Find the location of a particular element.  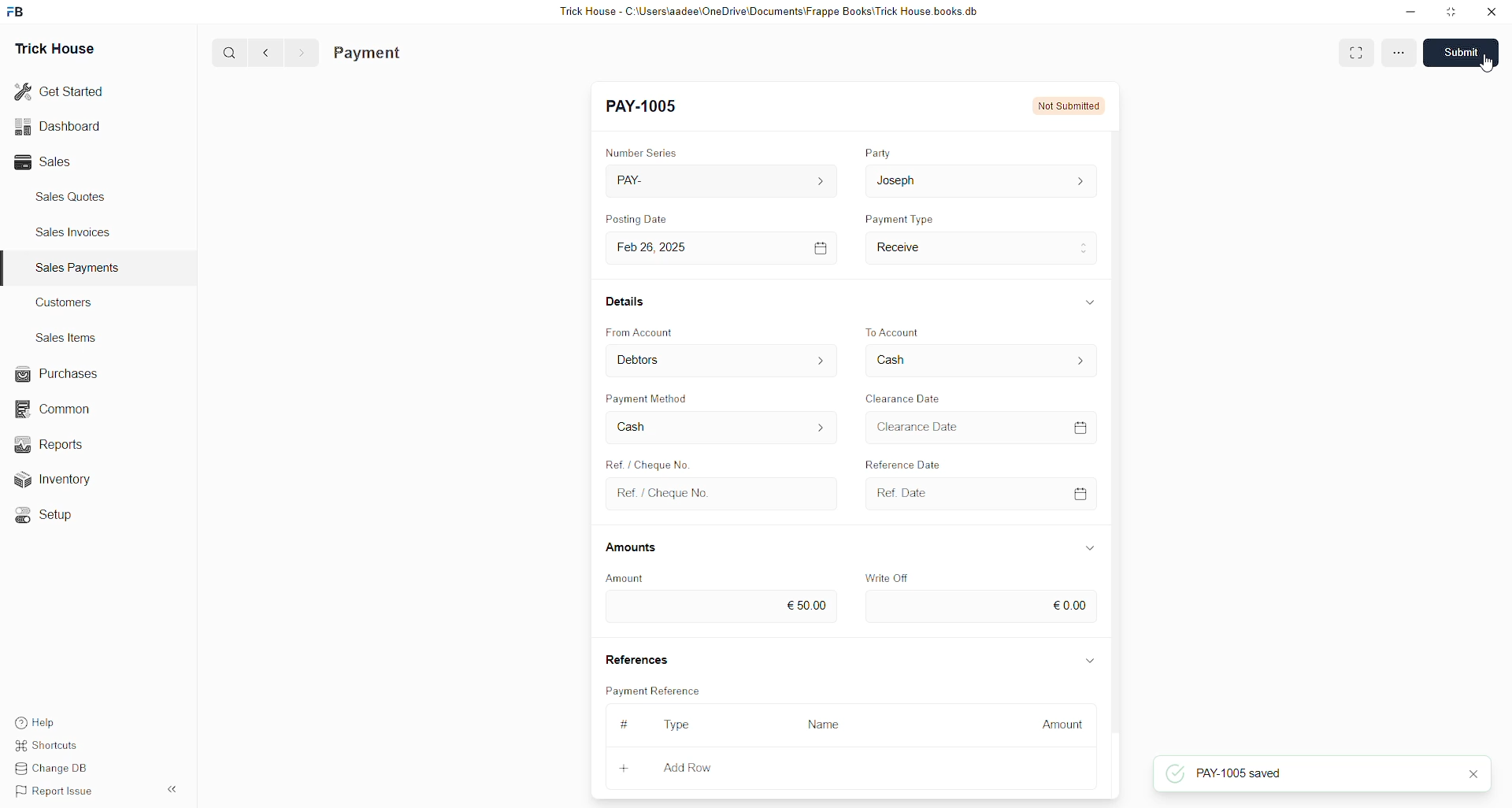

minimize is located at coordinates (1411, 13).